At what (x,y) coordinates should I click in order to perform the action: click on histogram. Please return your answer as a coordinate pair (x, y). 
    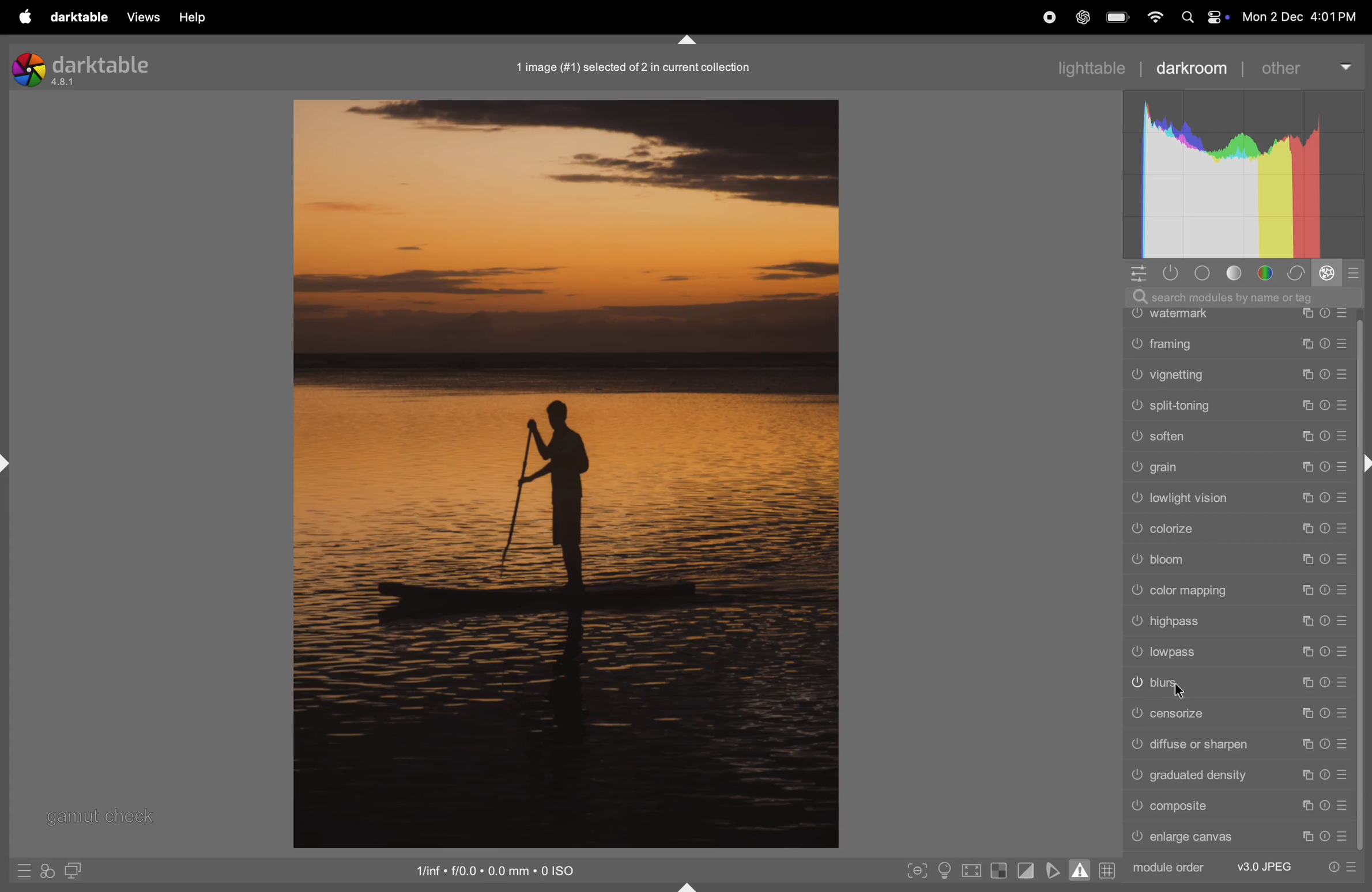
    Looking at the image, I should click on (1242, 176).